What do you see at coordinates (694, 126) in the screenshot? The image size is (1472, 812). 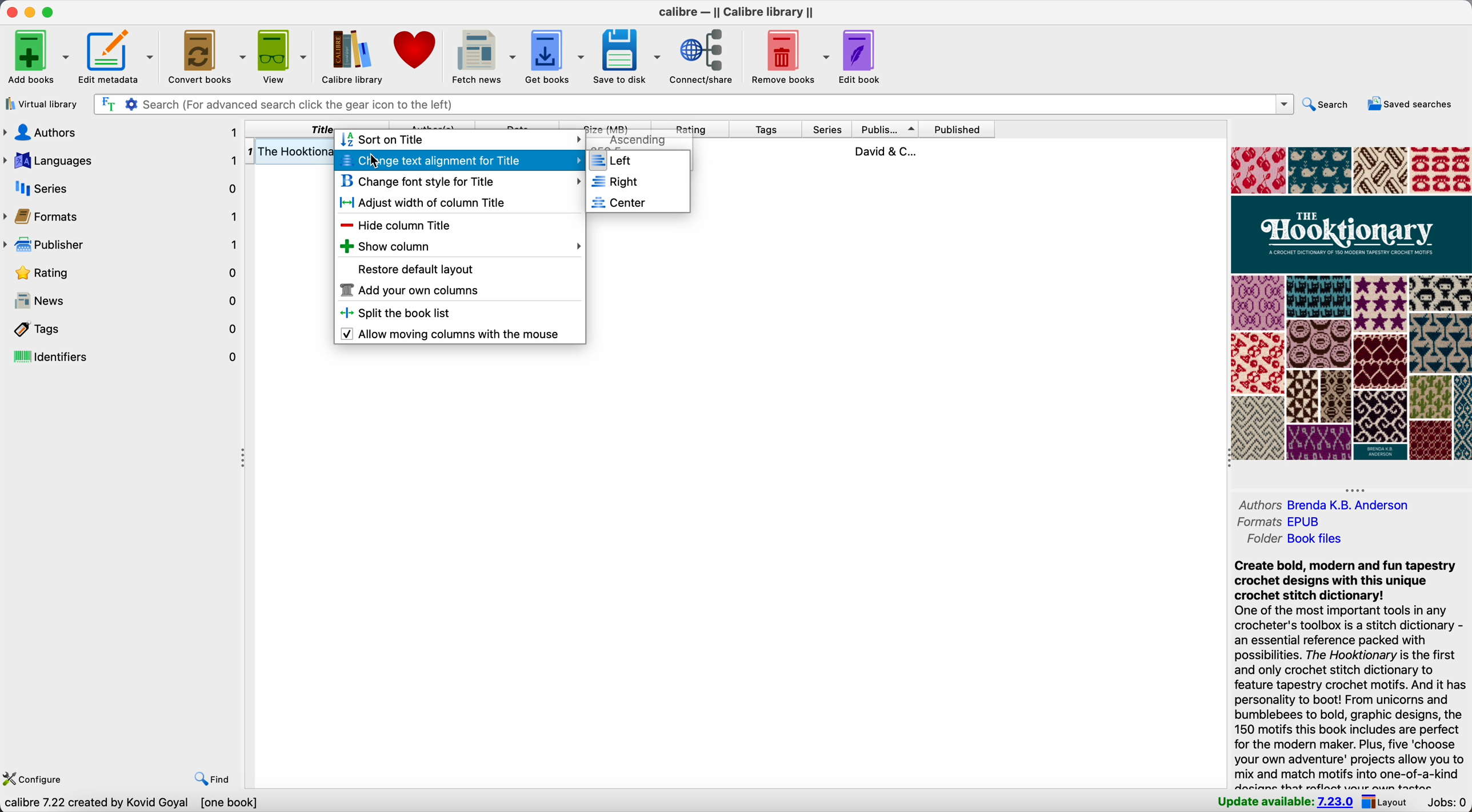 I see `rating` at bounding box center [694, 126].